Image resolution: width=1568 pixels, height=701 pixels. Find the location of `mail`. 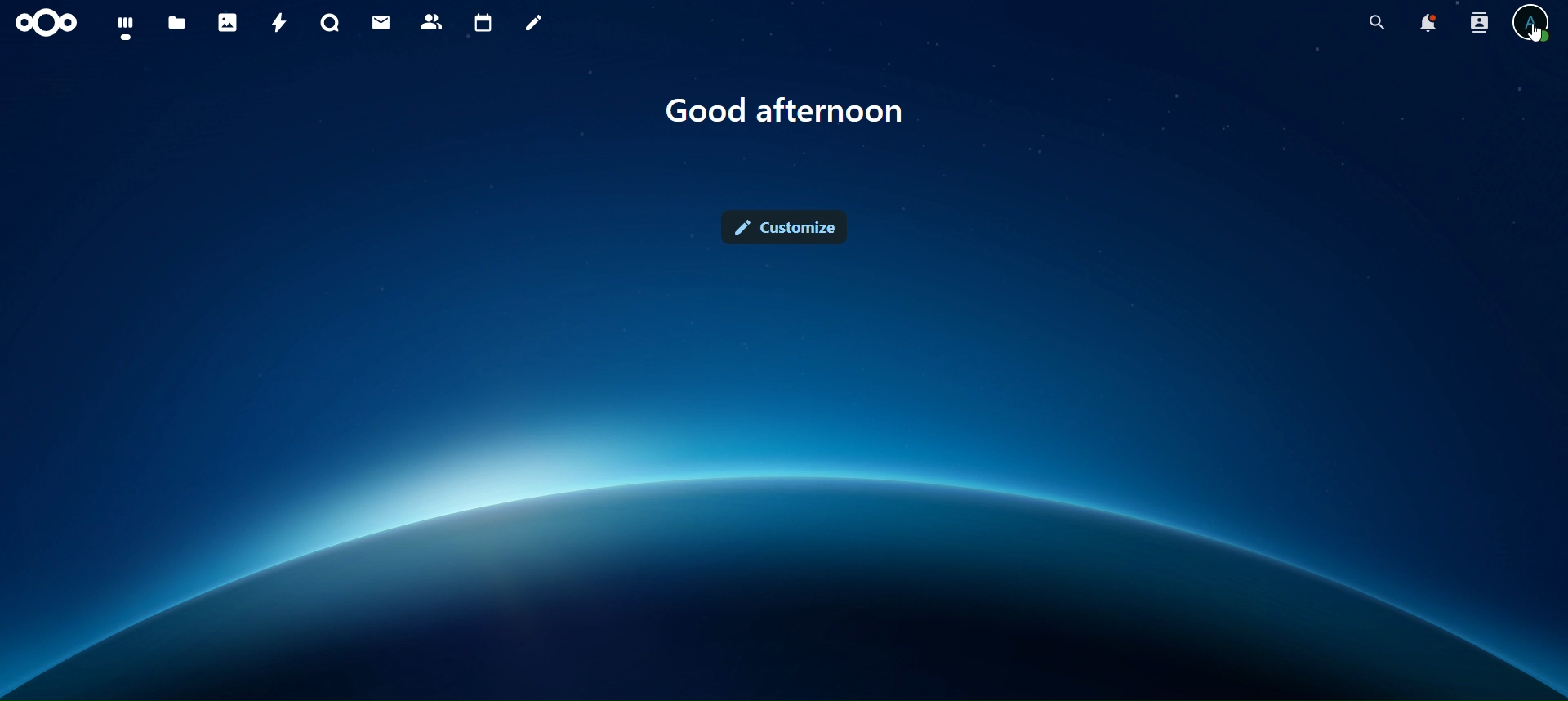

mail is located at coordinates (381, 24).